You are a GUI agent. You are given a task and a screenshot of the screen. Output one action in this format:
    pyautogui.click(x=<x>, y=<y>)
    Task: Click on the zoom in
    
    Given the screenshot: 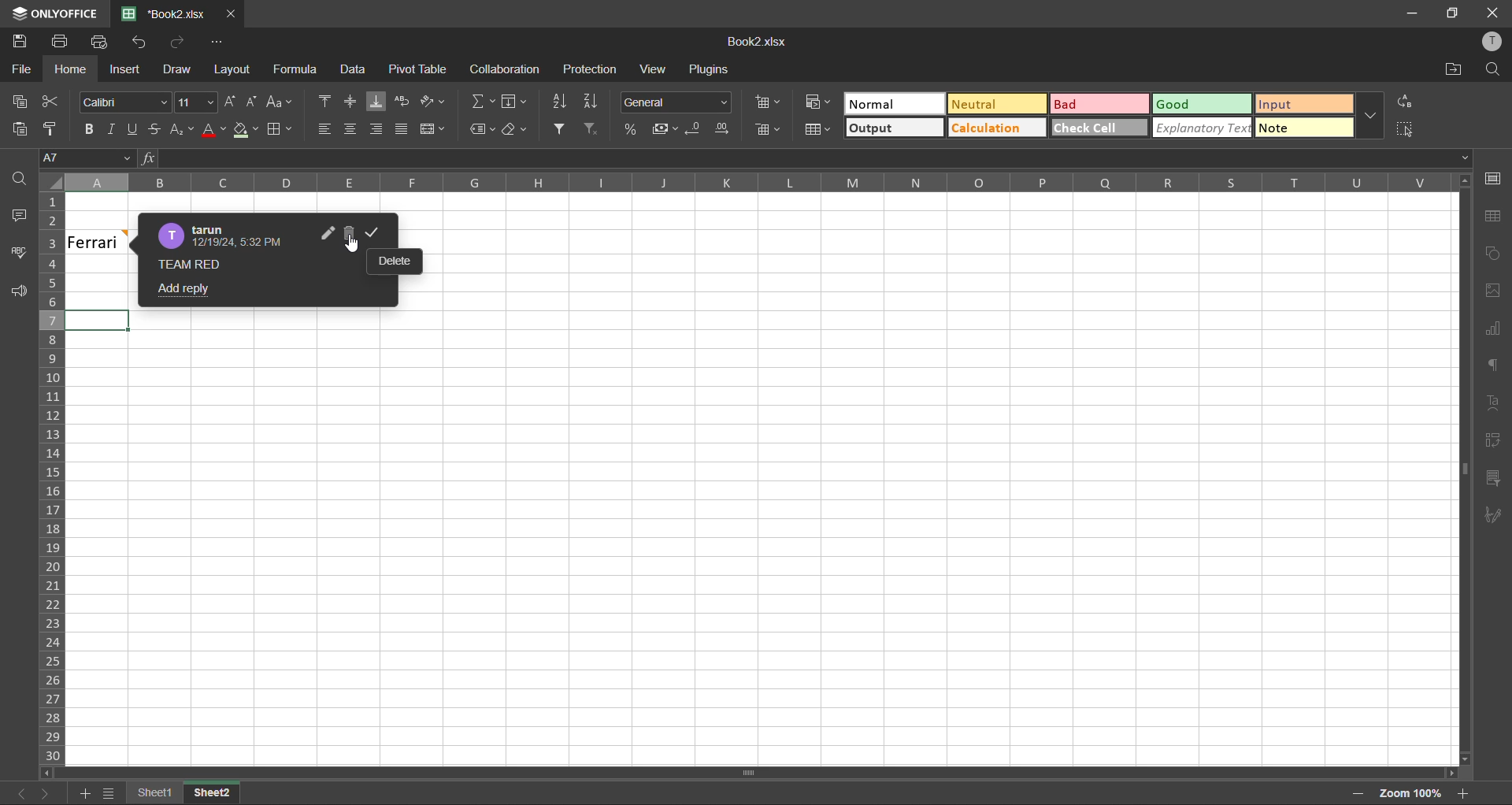 What is the action you would take?
    pyautogui.click(x=1460, y=792)
    